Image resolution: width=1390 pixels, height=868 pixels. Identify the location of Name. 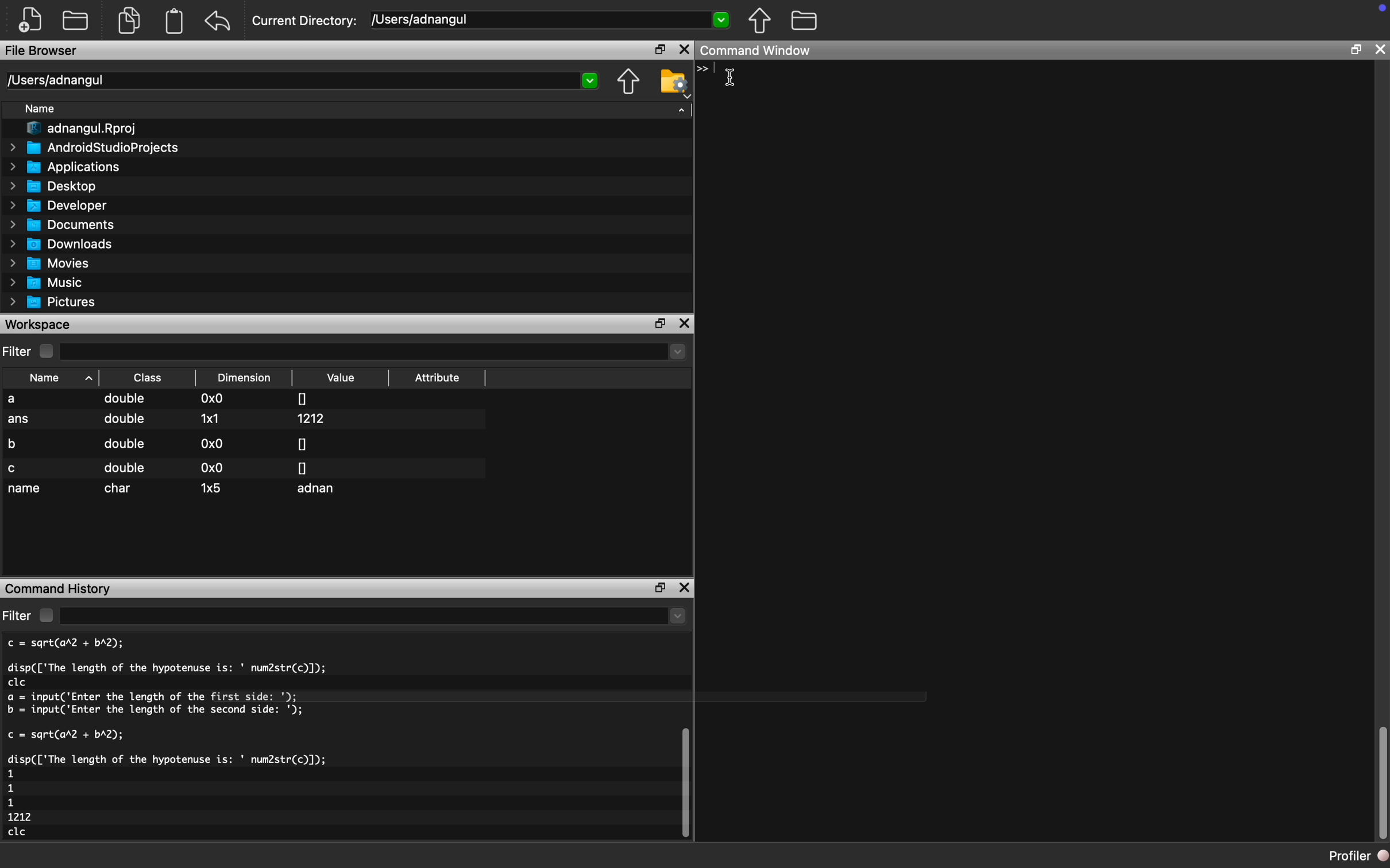
(45, 110).